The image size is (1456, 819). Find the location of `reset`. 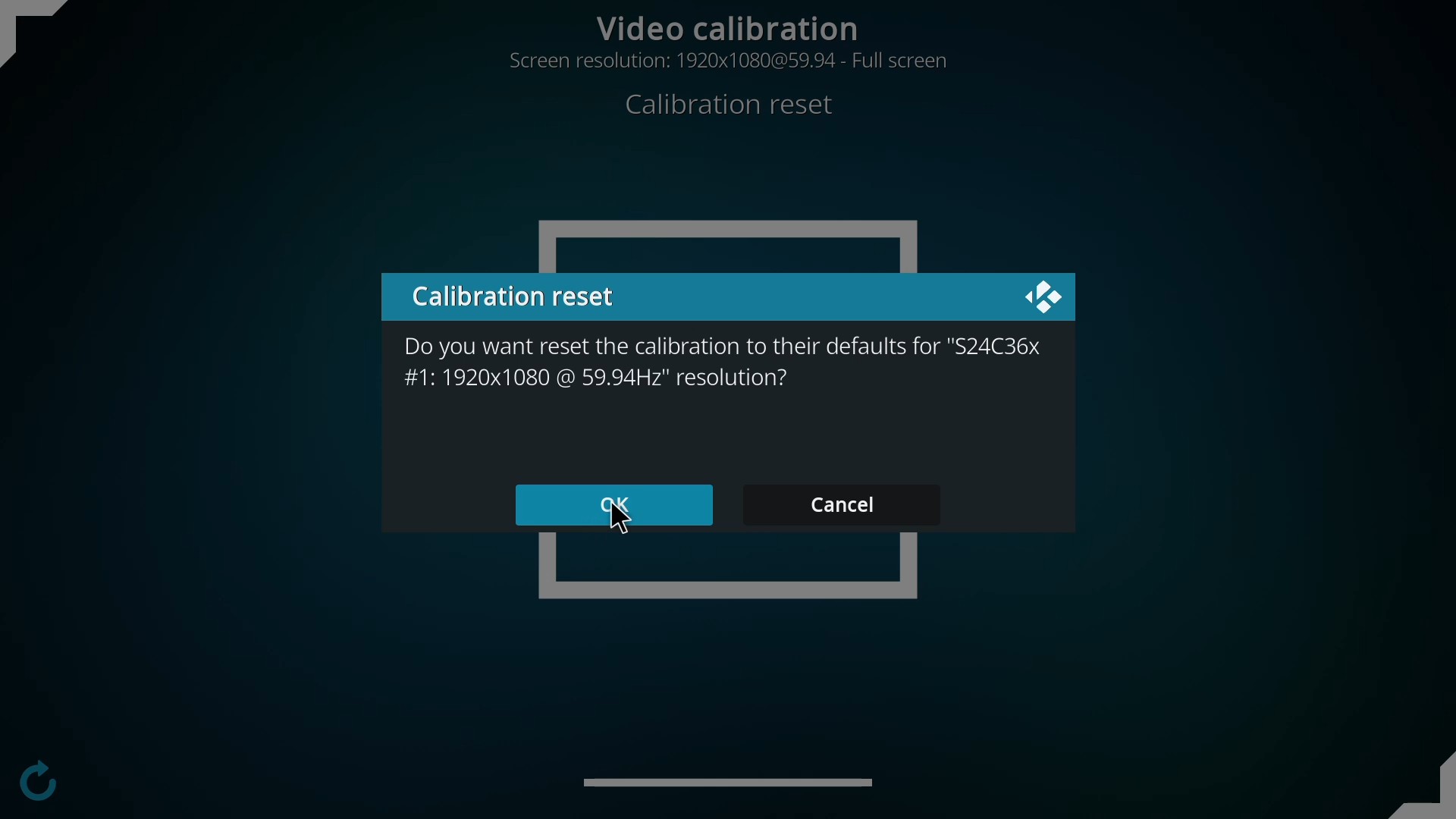

reset is located at coordinates (521, 296).